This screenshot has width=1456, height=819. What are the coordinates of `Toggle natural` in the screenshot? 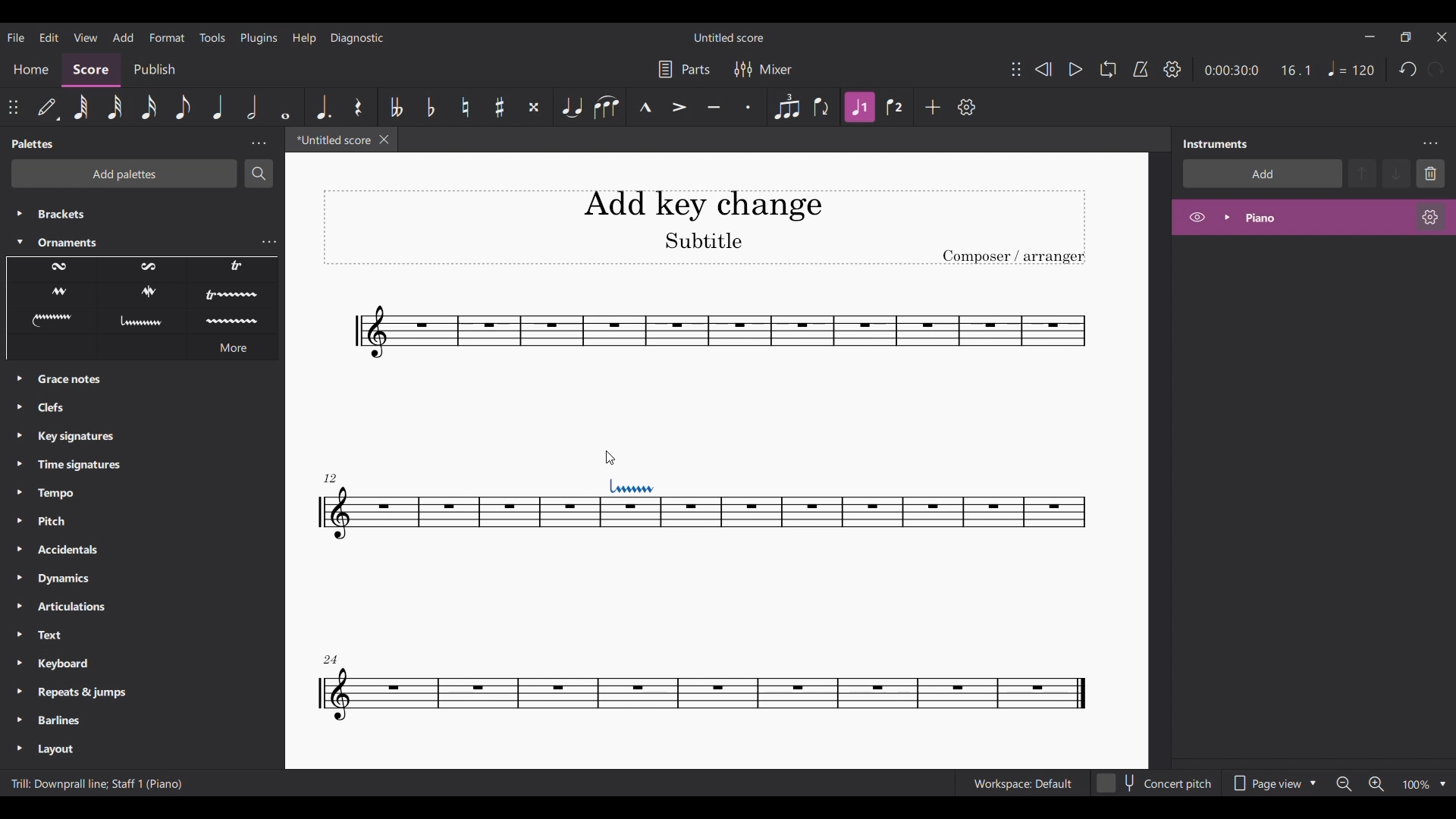 It's located at (463, 108).